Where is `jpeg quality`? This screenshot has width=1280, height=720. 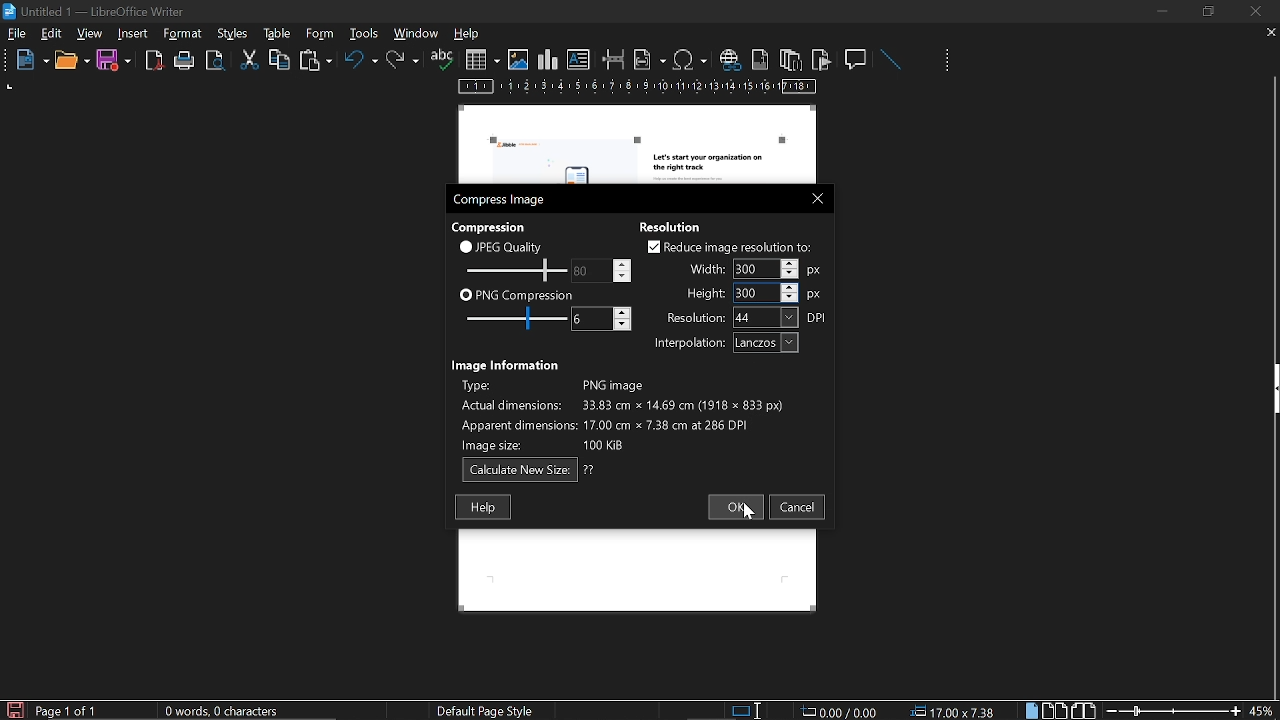
jpeg quality is located at coordinates (502, 246).